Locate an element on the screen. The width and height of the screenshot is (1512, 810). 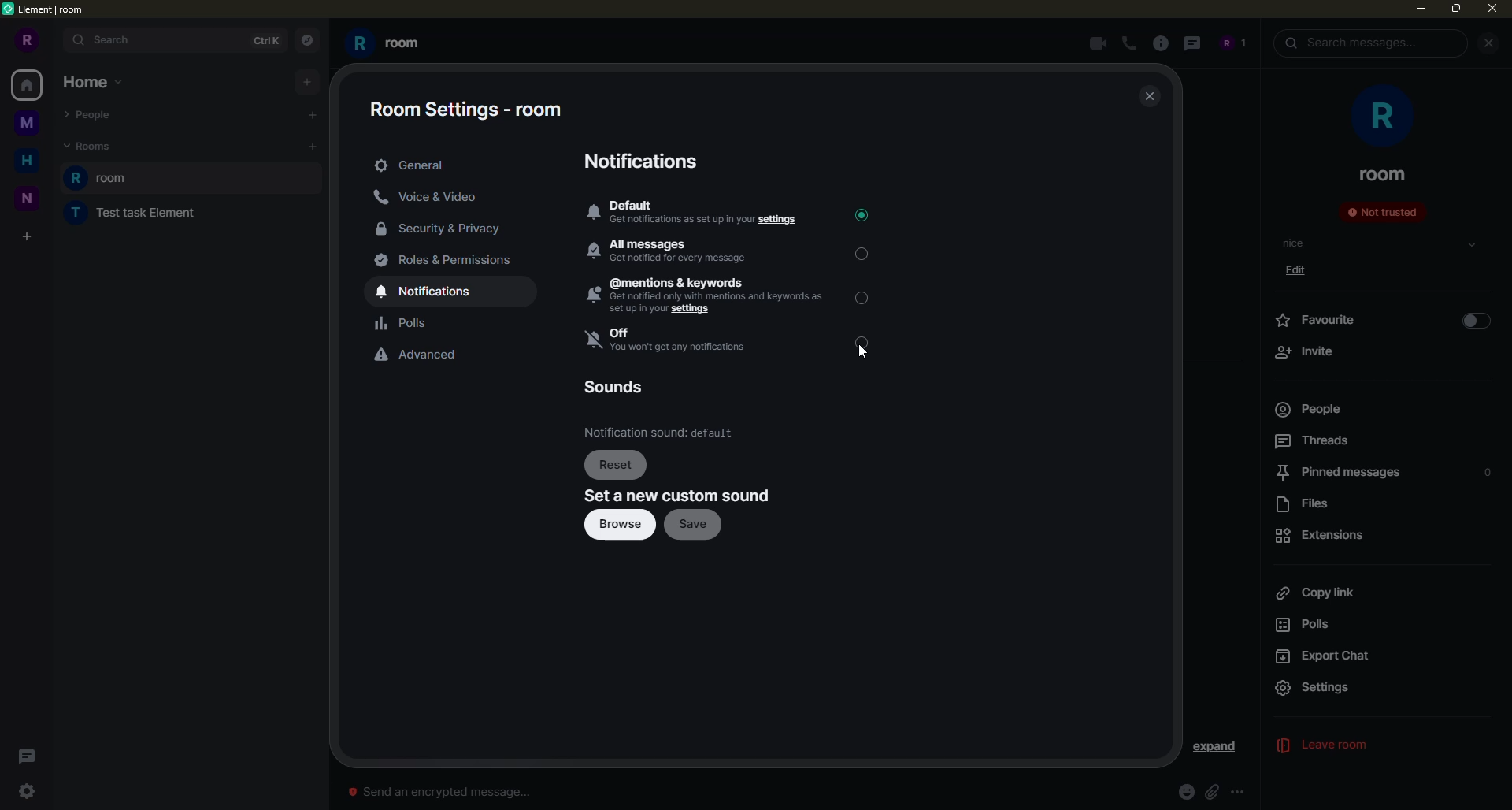
expand is located at coordinates (1485, 688).